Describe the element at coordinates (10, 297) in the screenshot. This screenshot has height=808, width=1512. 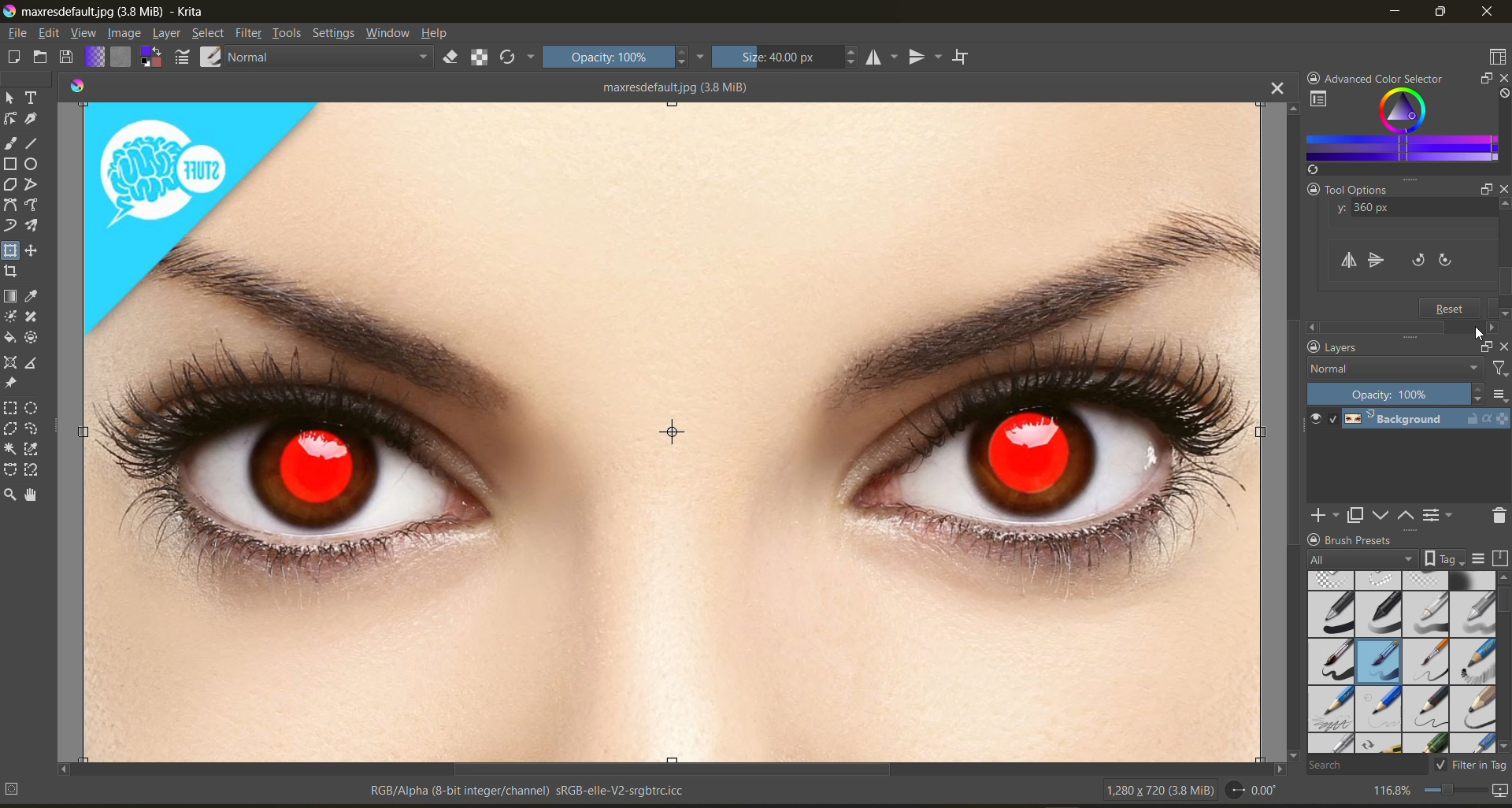
I see `tool` at that location.